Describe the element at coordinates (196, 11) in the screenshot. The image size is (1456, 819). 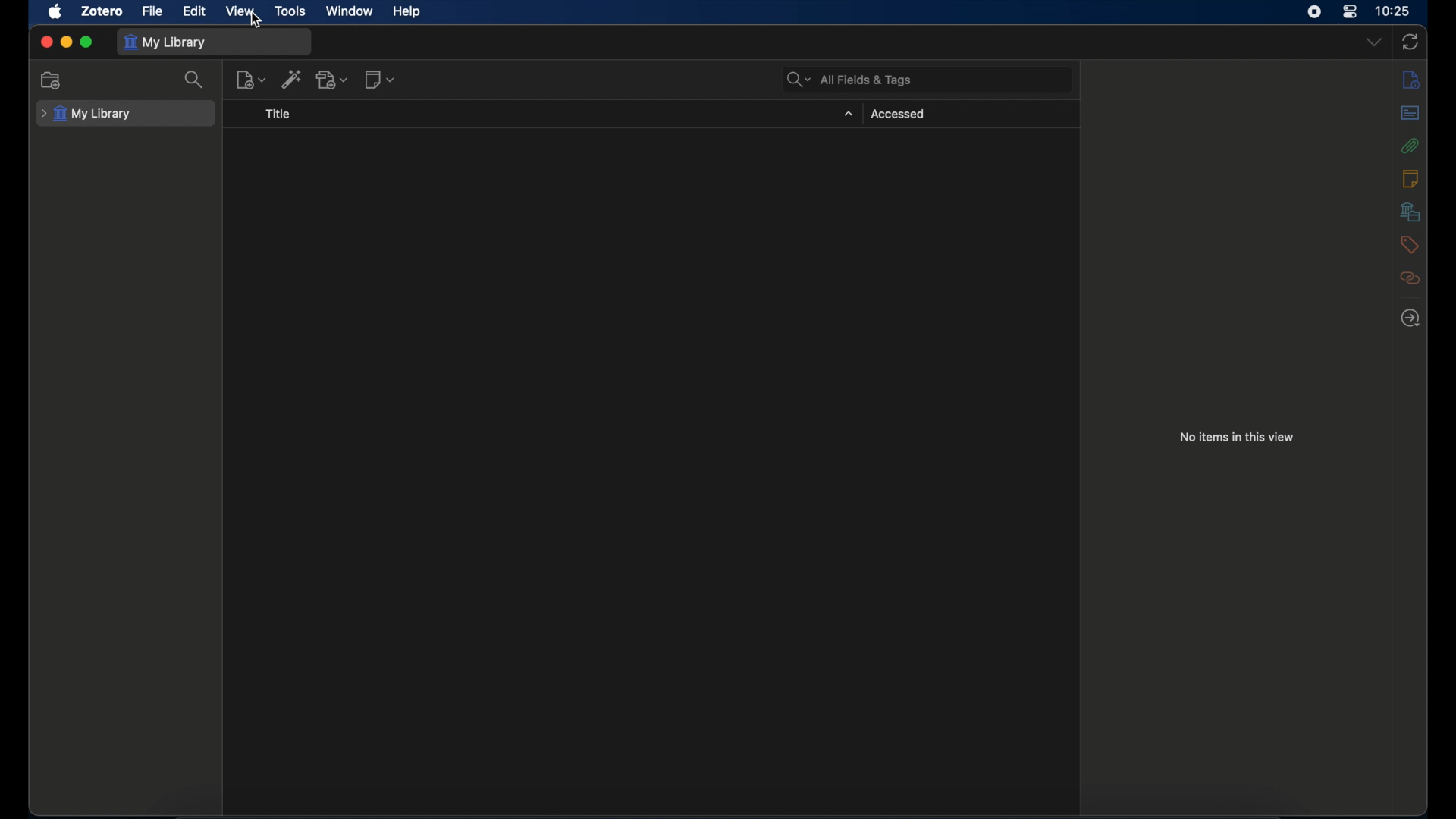
I see `edit` at that location.